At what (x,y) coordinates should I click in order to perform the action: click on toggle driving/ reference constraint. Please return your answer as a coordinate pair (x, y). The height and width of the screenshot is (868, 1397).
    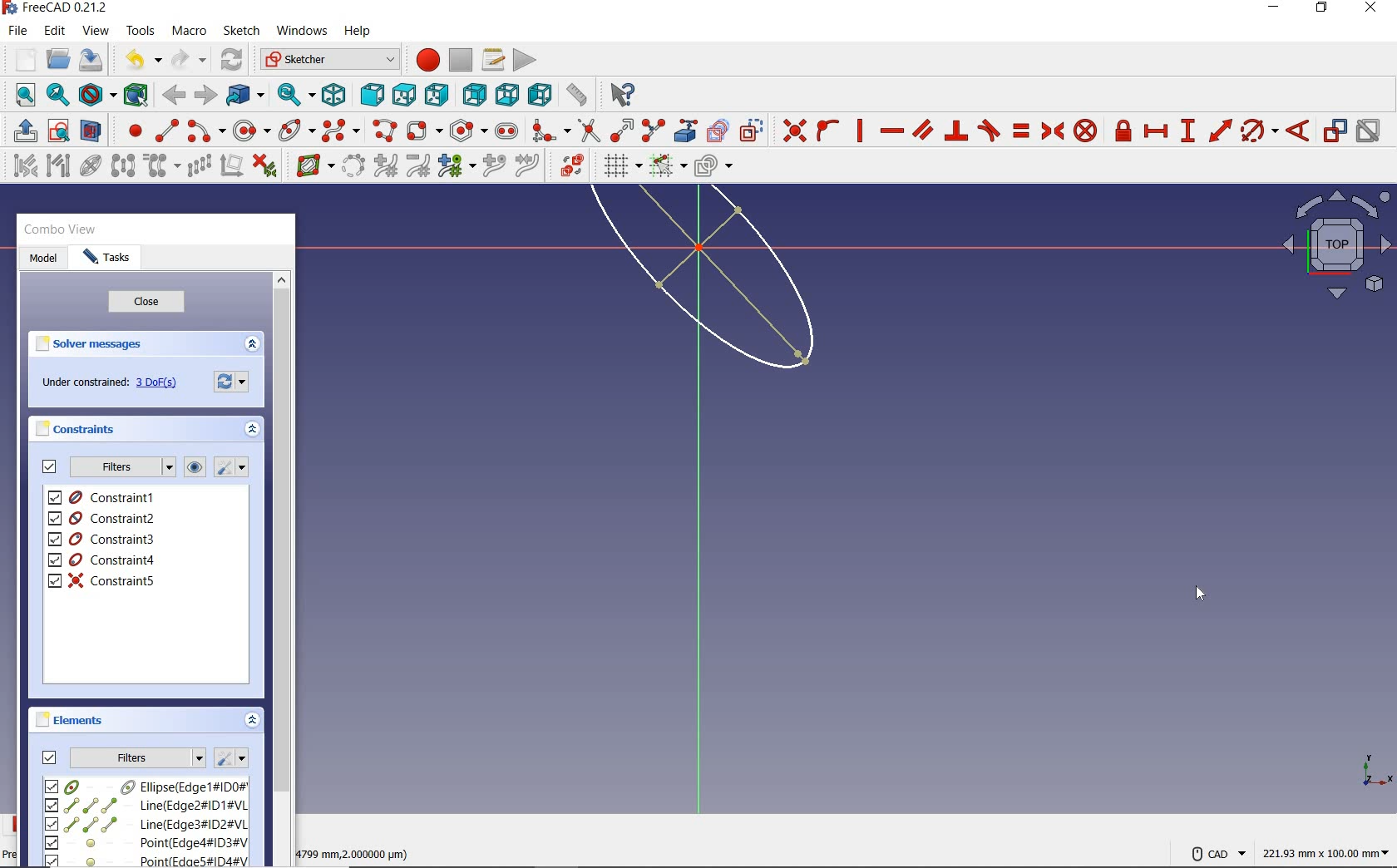
    Looking at the image, I should click on (1335, 130).